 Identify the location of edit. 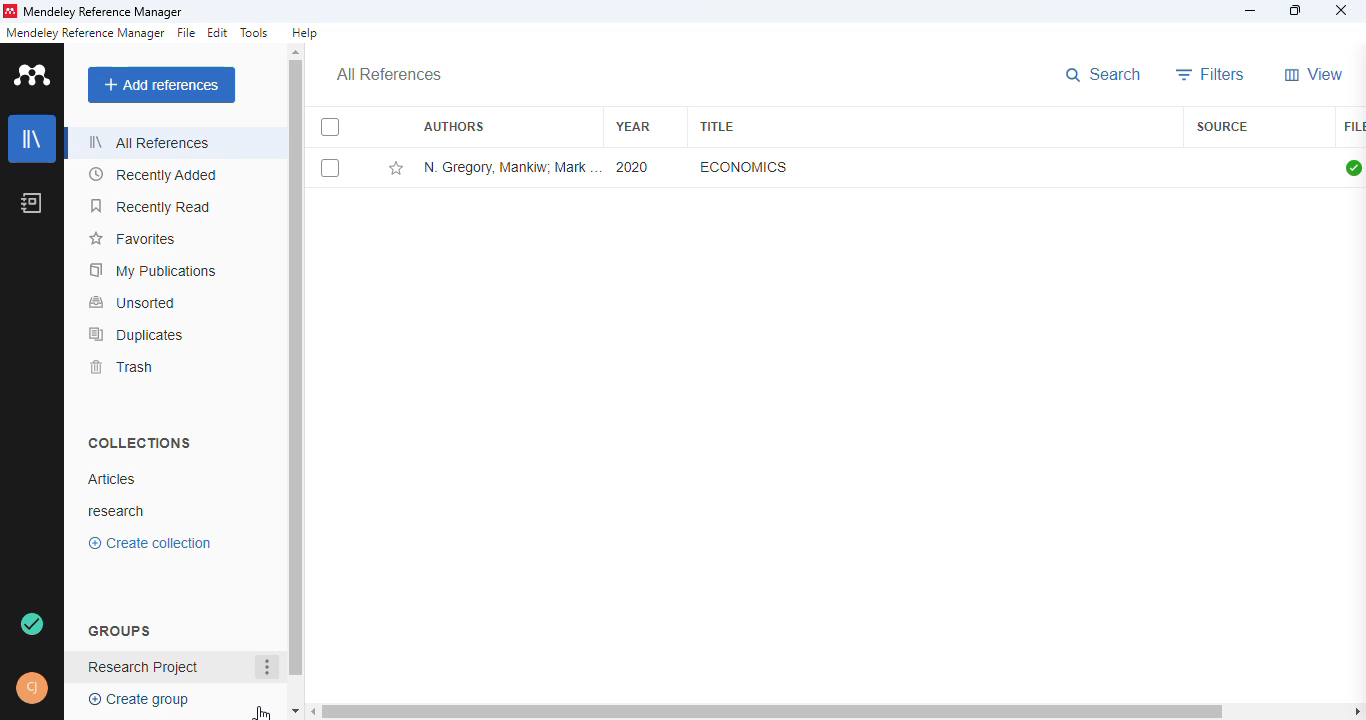
(218, 32).